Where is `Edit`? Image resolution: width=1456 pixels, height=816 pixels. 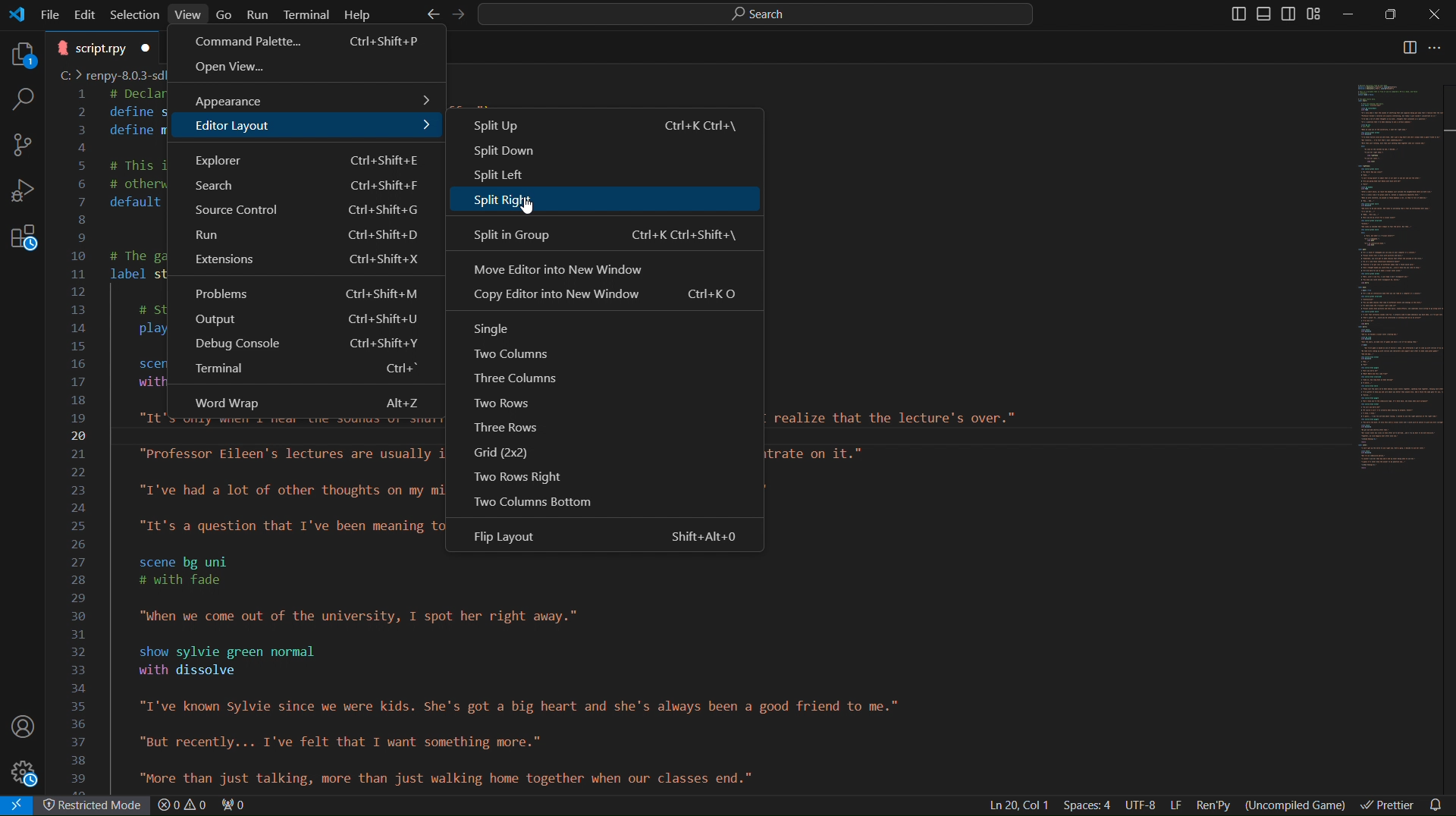 Edit is located at coordinates (87, 13).